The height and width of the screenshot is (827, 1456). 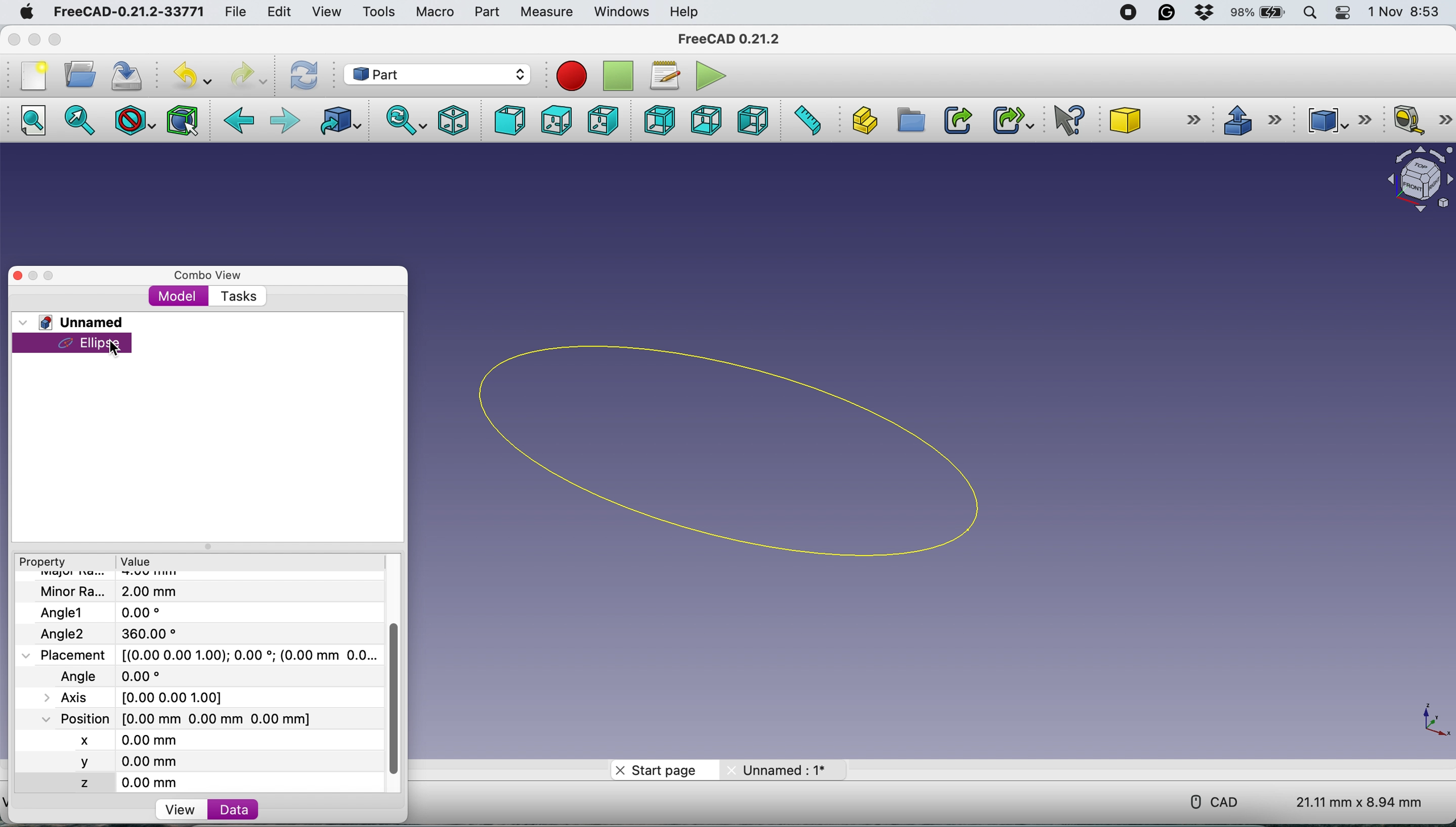 What do you see at coordinates (766, 452) in the screenshot?
I see `ellipse chosen` at bounding box center [766, 452].